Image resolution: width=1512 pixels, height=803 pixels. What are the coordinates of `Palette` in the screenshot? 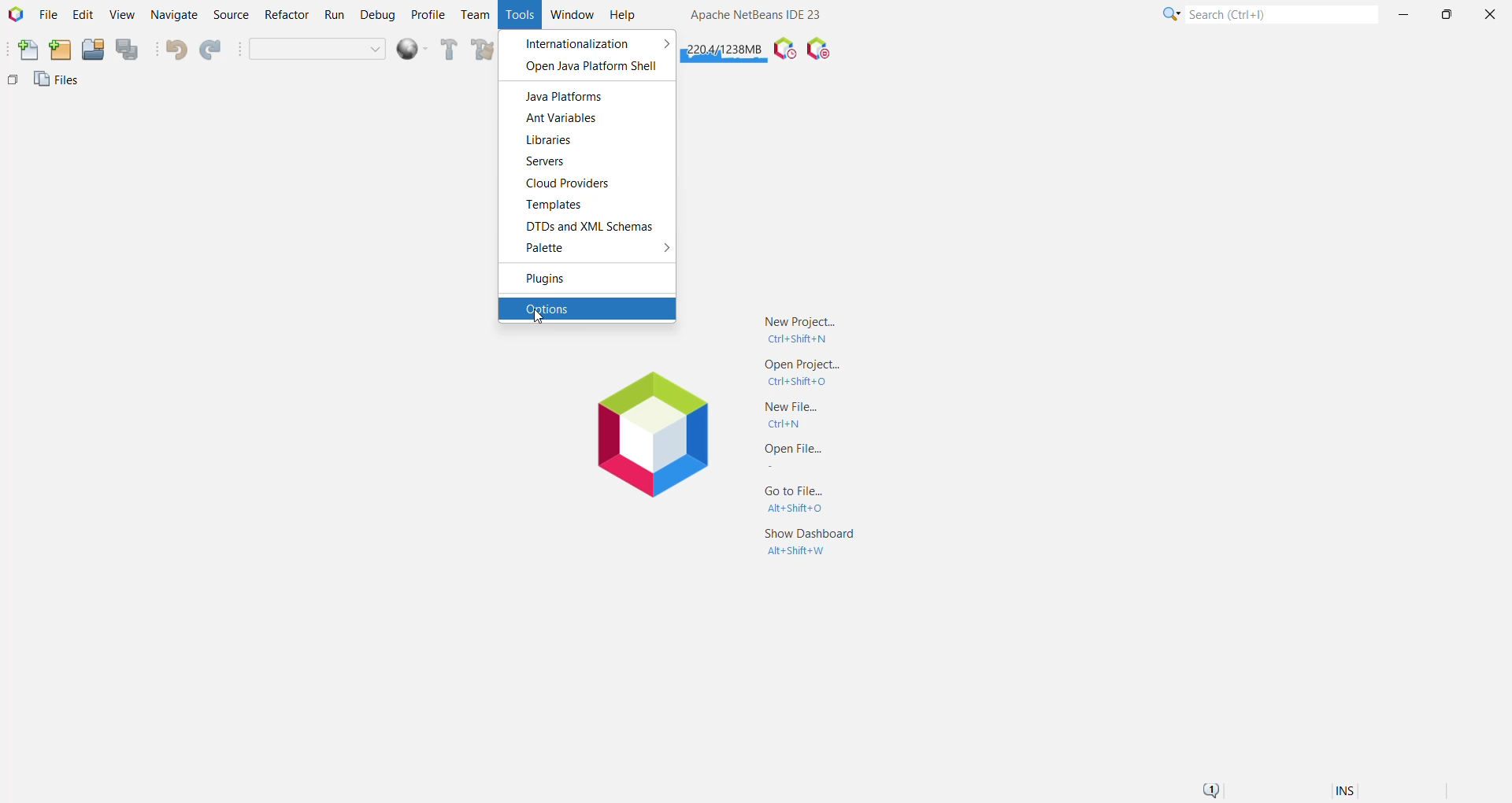 It's located at (554, 248).